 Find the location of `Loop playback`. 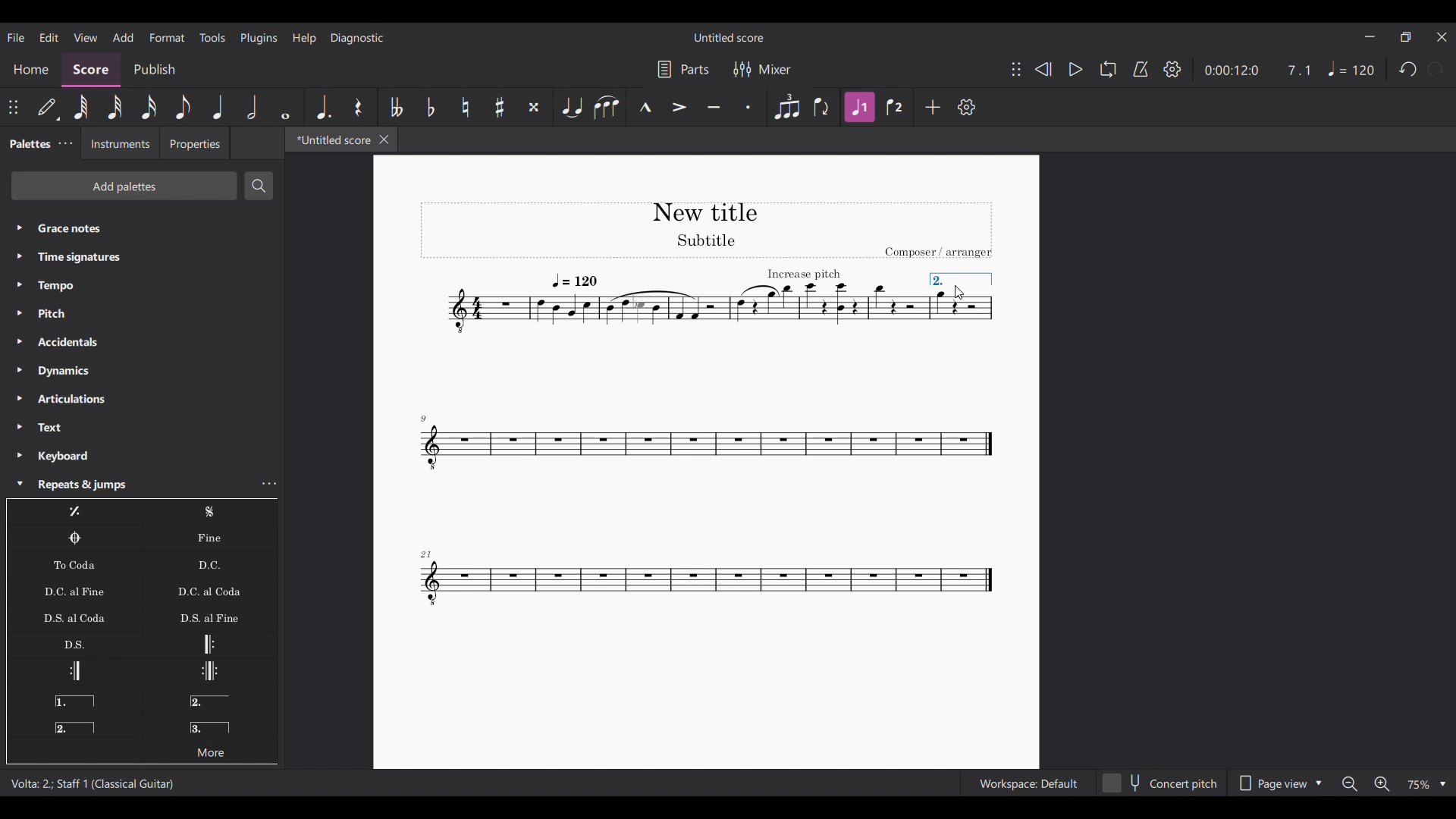

Loop playback is located at coordinates (1109, 69).